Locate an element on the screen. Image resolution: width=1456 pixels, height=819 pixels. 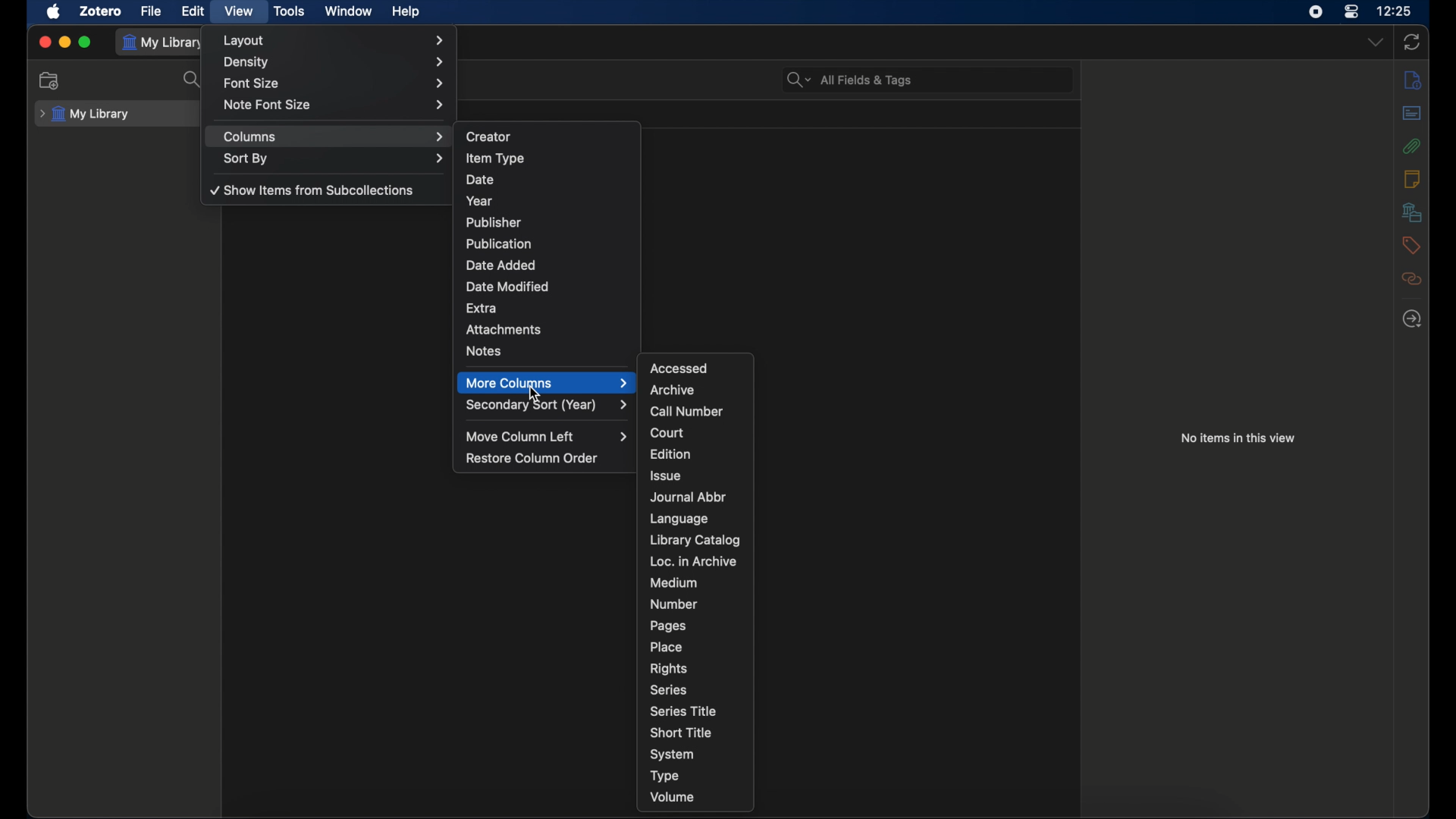
close is located at coordinates (44, 42).